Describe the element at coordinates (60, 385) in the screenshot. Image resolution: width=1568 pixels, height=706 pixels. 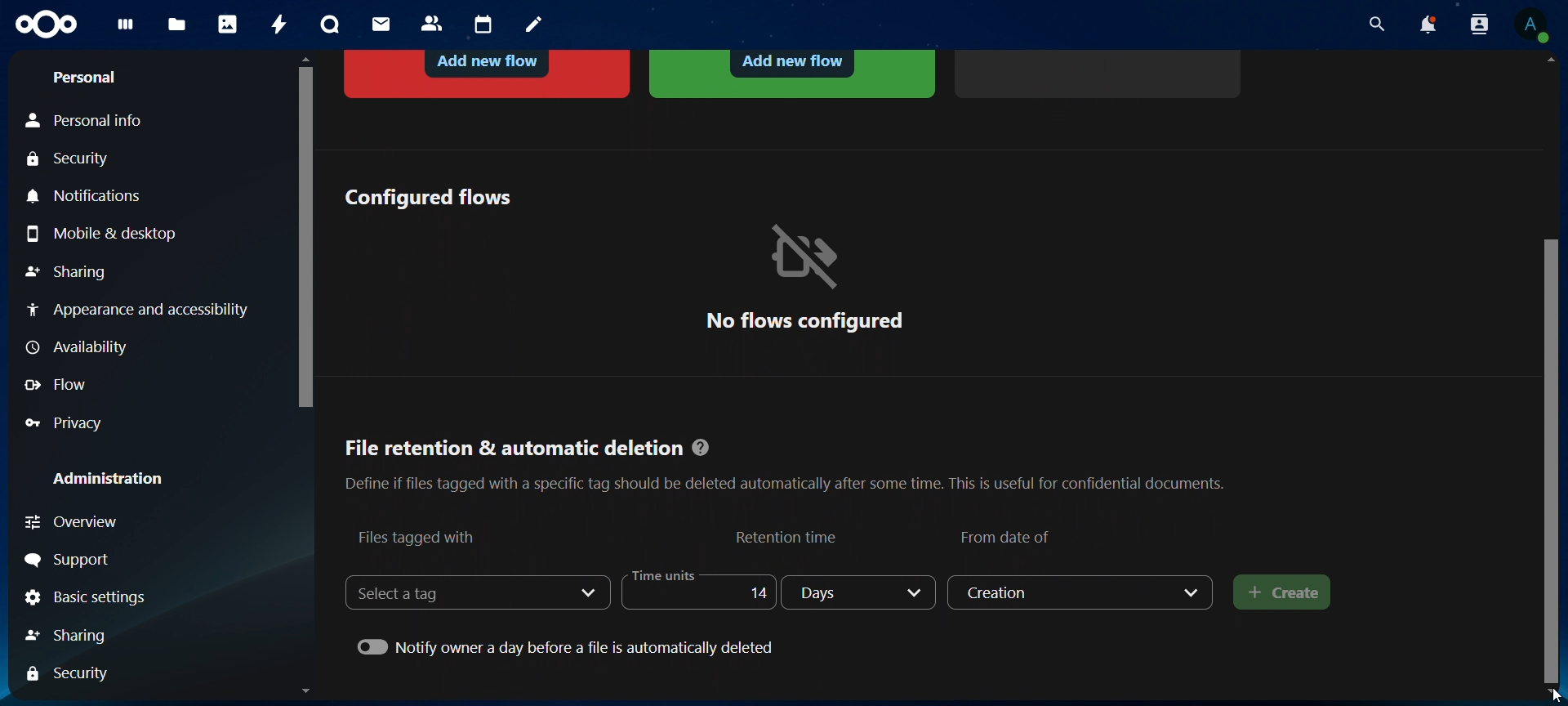
I see `flow` at that location.